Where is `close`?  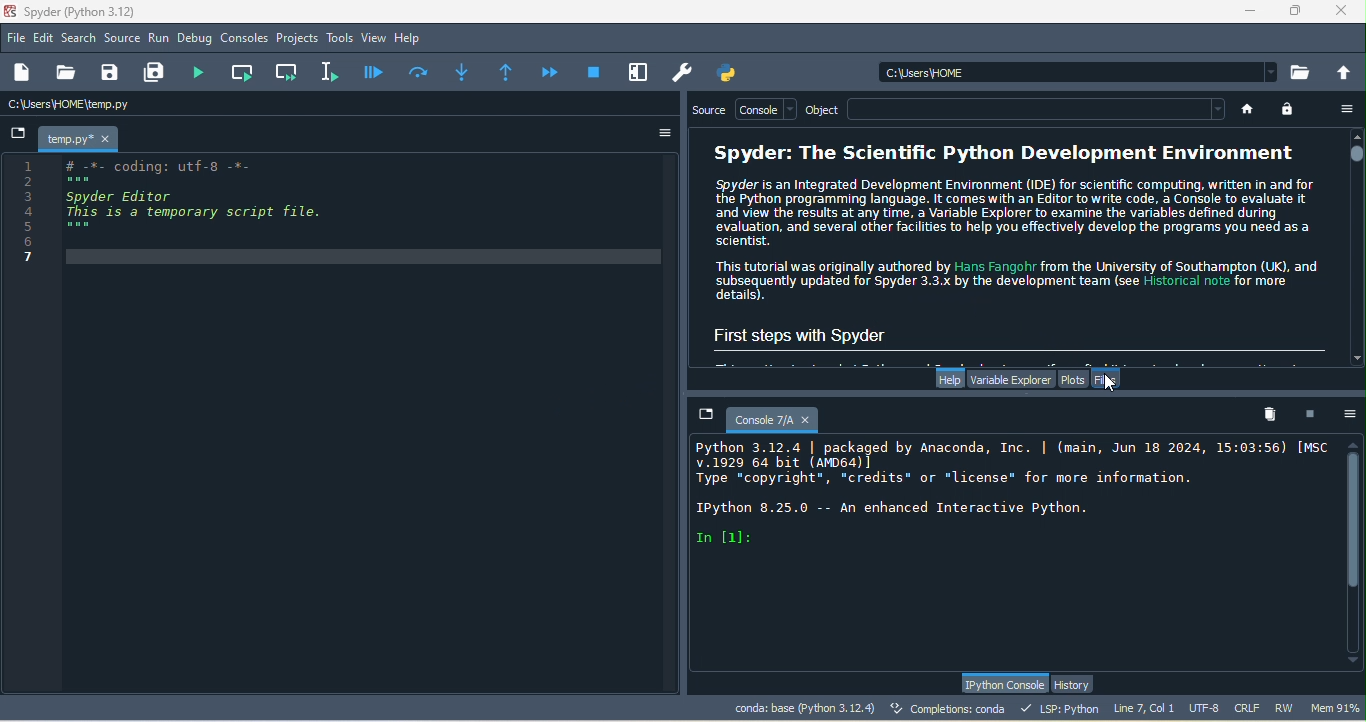 close is located at coordinates (1346, 12).